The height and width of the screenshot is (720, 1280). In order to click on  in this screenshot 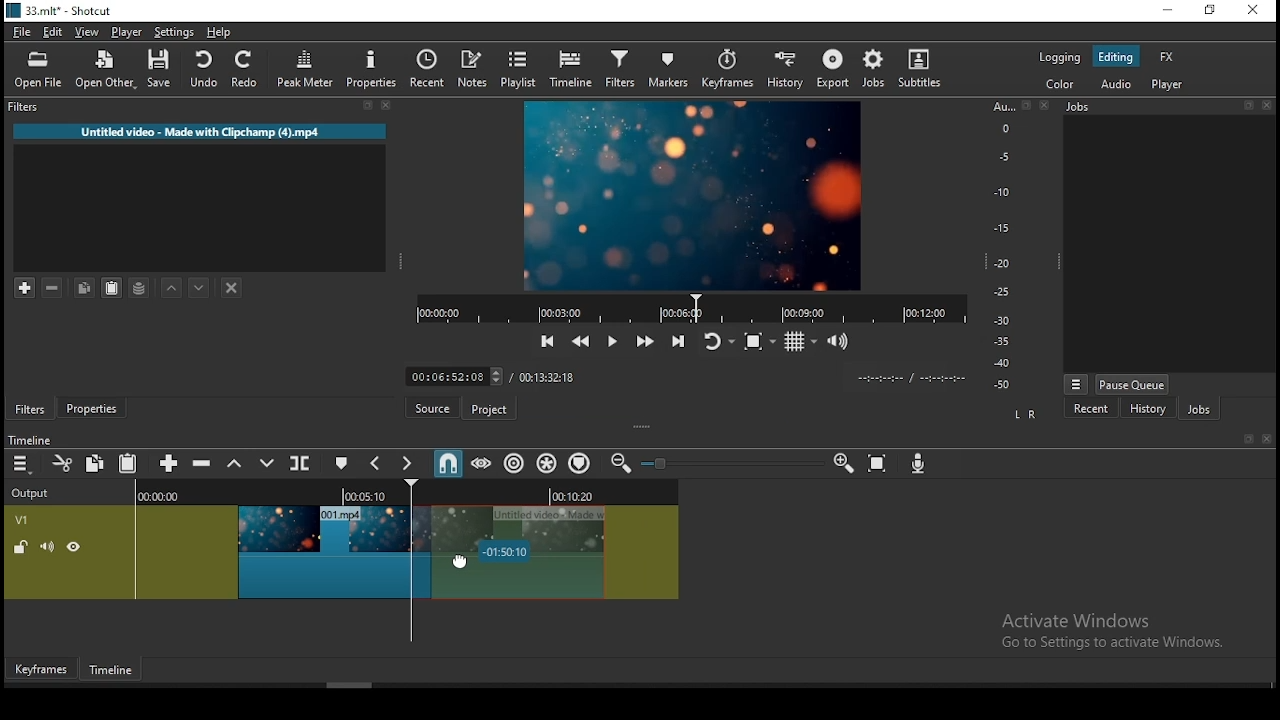, I will do `click(844, 464)`.